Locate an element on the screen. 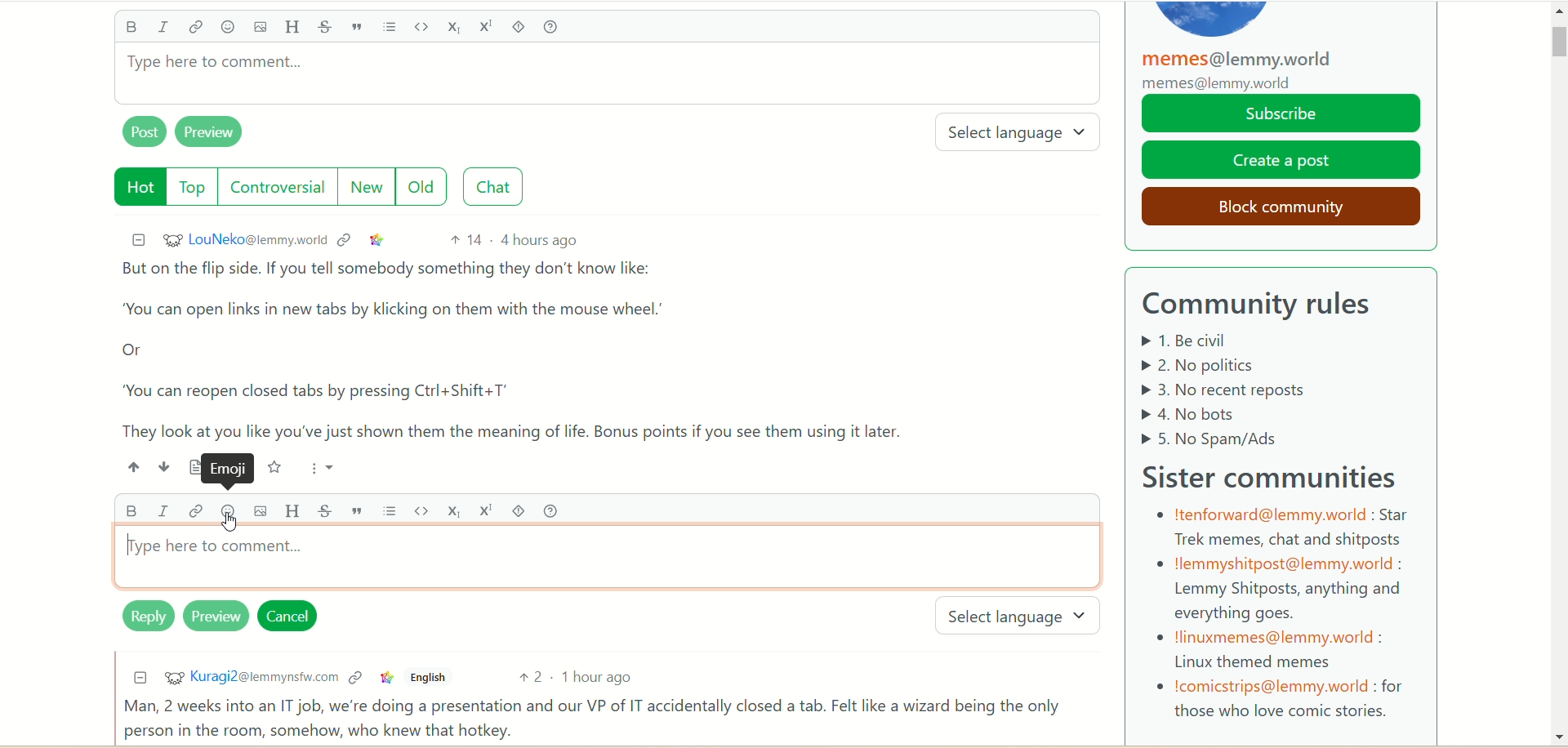  comment of LouNeko is located at coordinates (528, 350).